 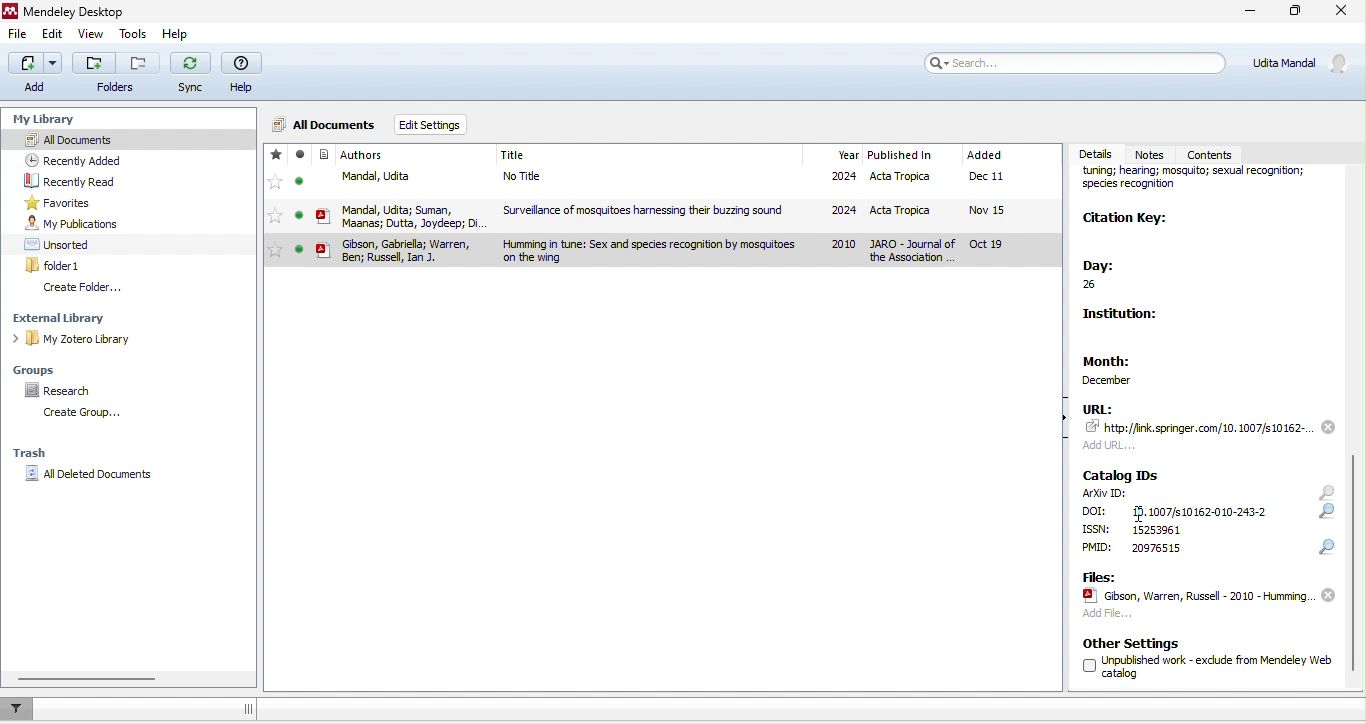 What do you see at coordinates (1295, 14) in the screenshot?
I see `maximize` at bounding box center [1295, 14].